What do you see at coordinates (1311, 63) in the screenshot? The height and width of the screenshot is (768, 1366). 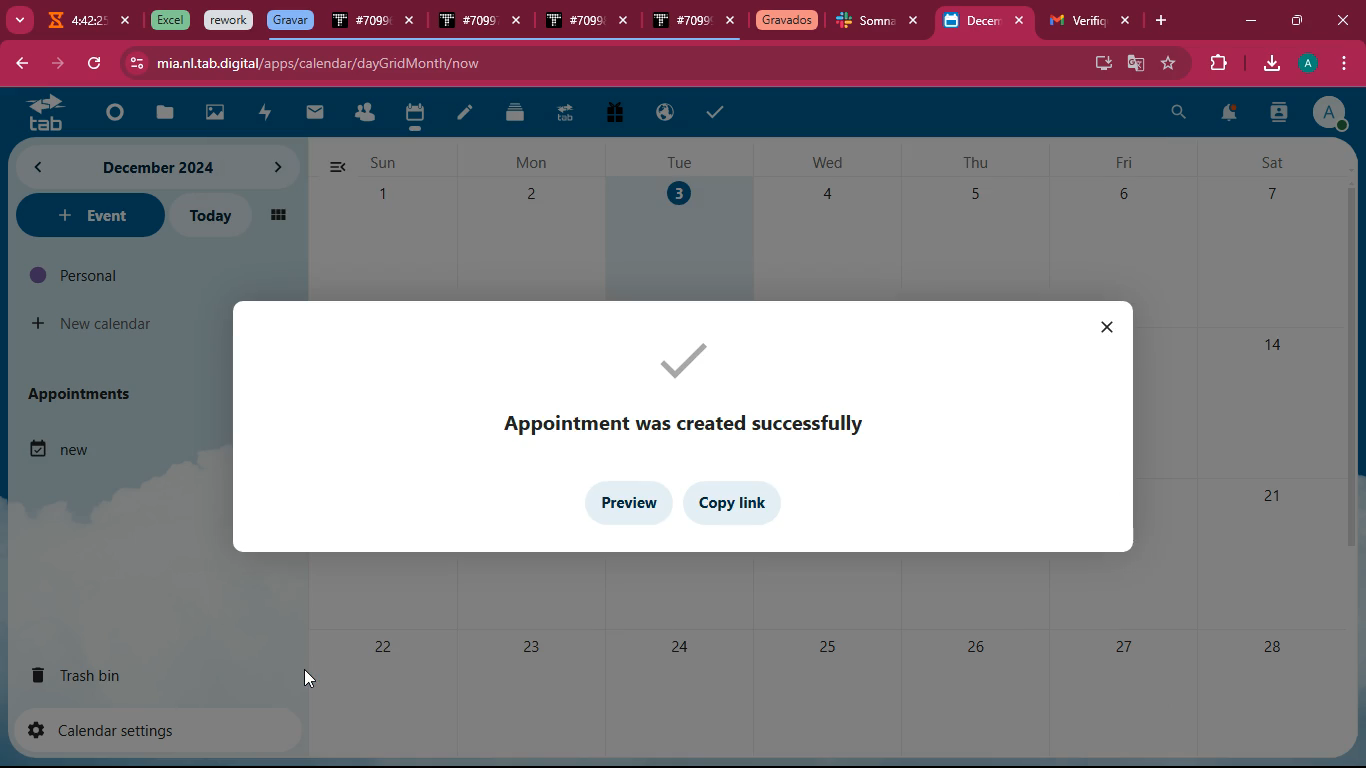 I see `profile` at bounding box center [1311, 63].